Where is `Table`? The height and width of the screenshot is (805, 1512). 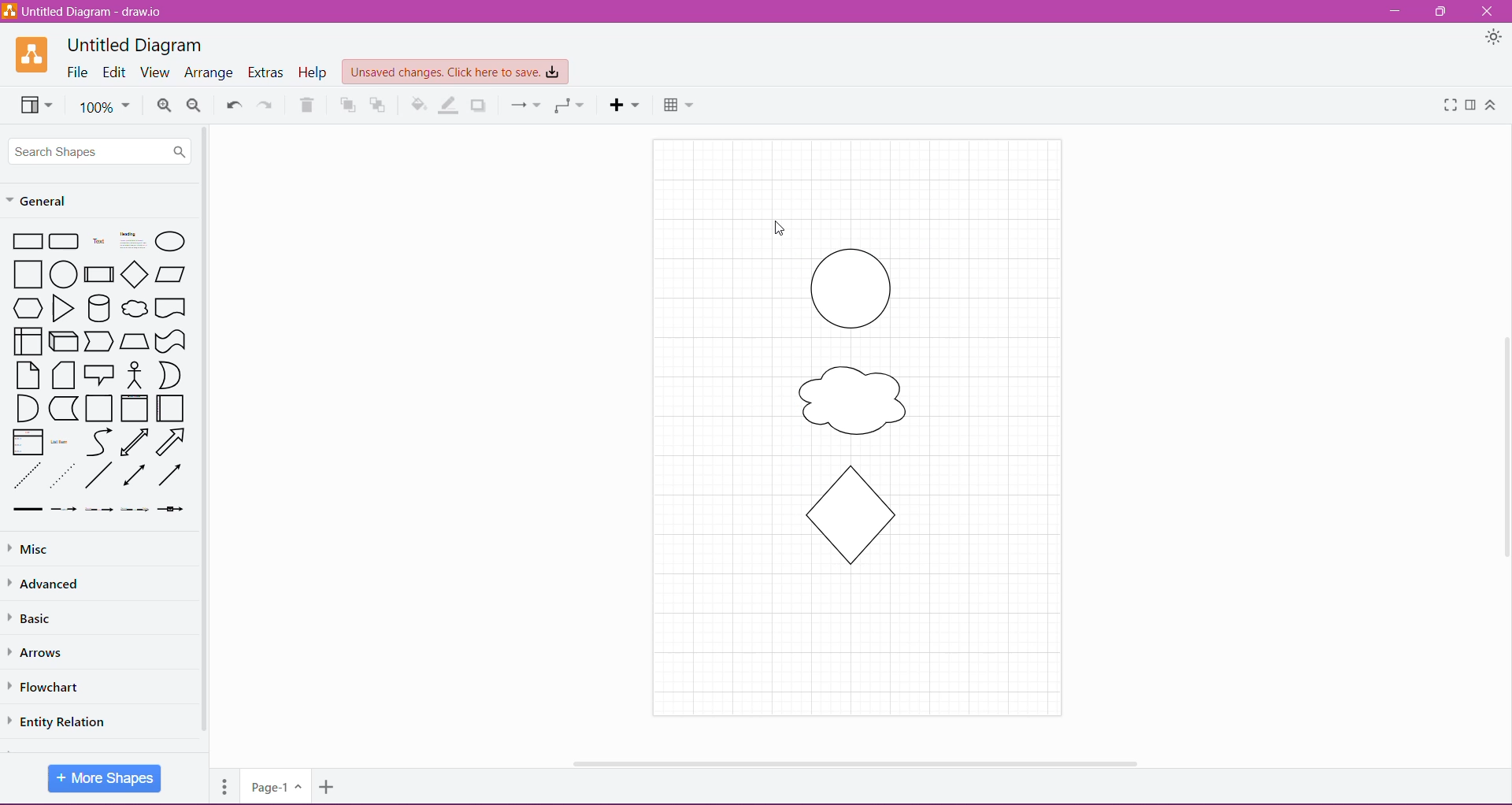
Table is located at coordinates (678, 103).